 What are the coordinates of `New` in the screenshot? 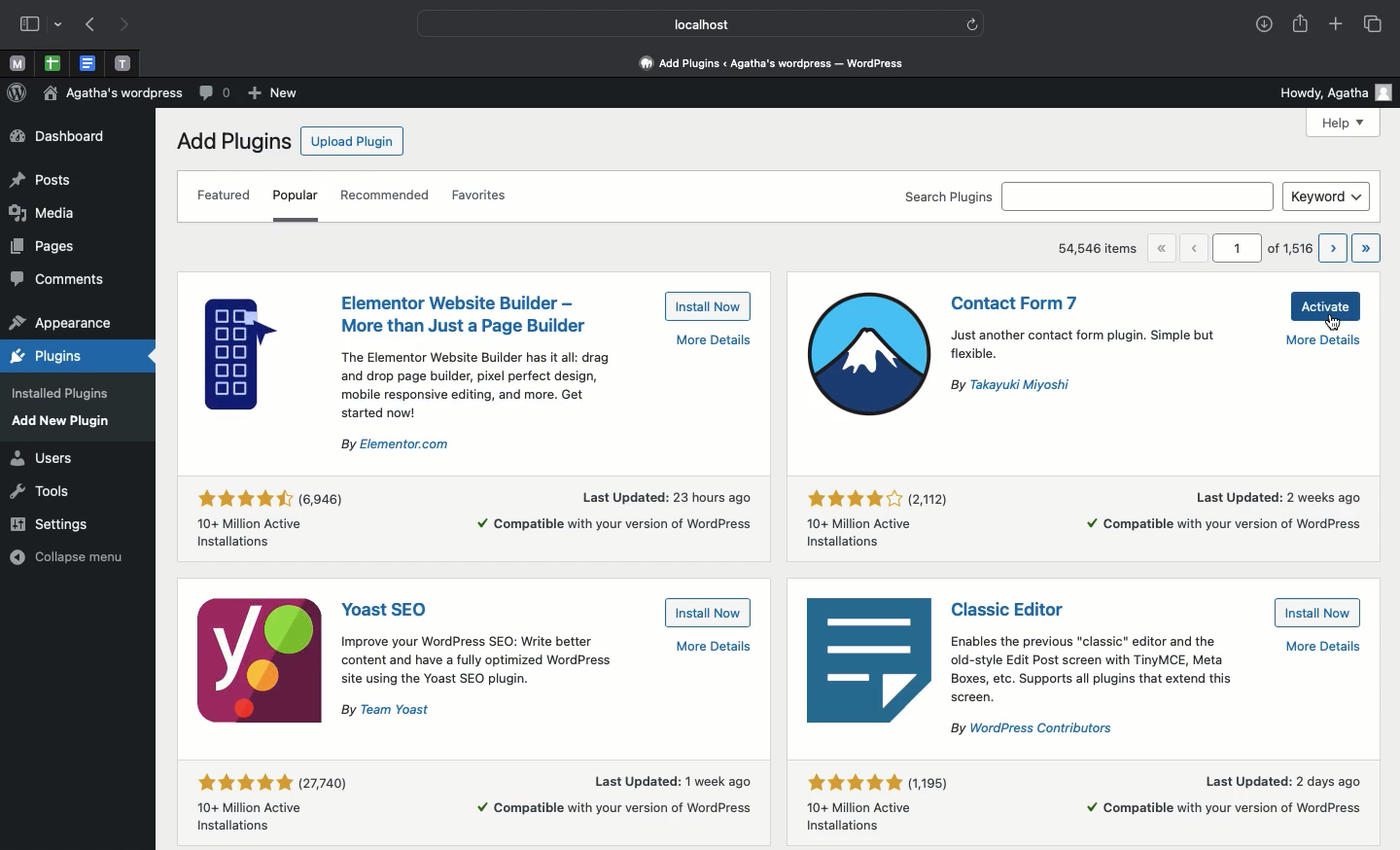 It's located at (272, 92).